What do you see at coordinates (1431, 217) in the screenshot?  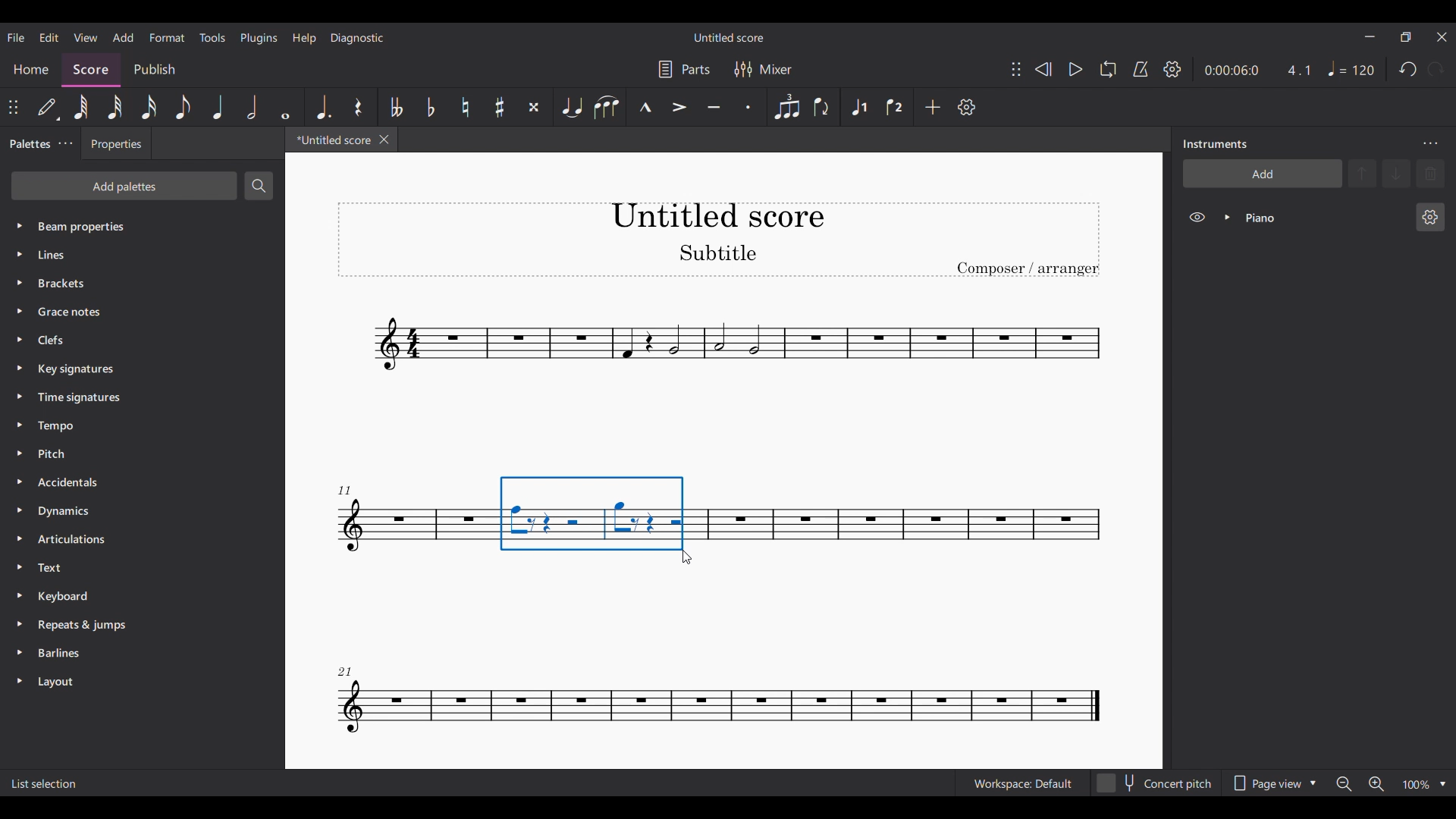 I see `Instrument settings` at bounding box center [1431, 217].